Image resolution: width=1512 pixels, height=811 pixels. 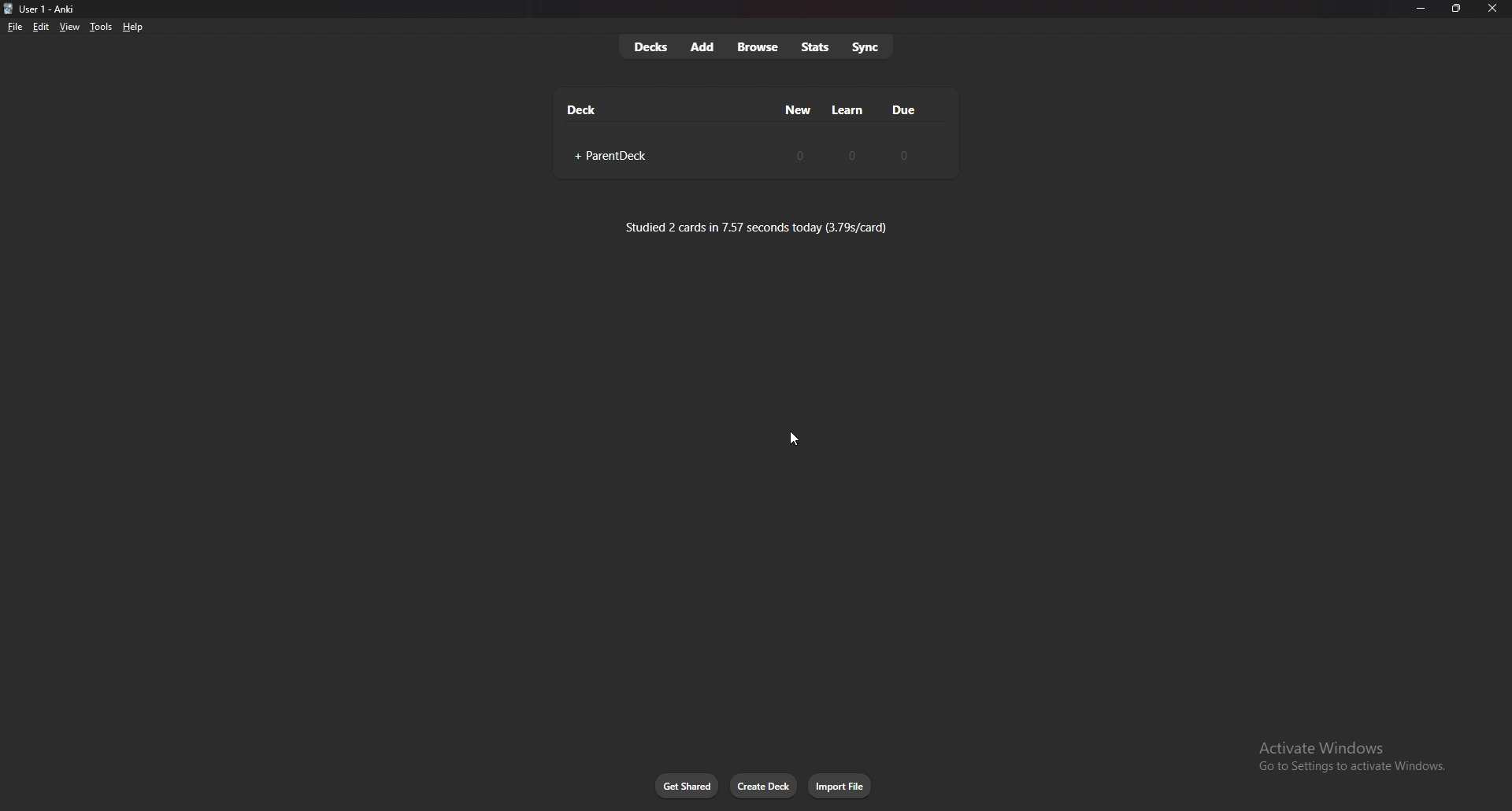 I want to click on due, so click(x=902, y=109).